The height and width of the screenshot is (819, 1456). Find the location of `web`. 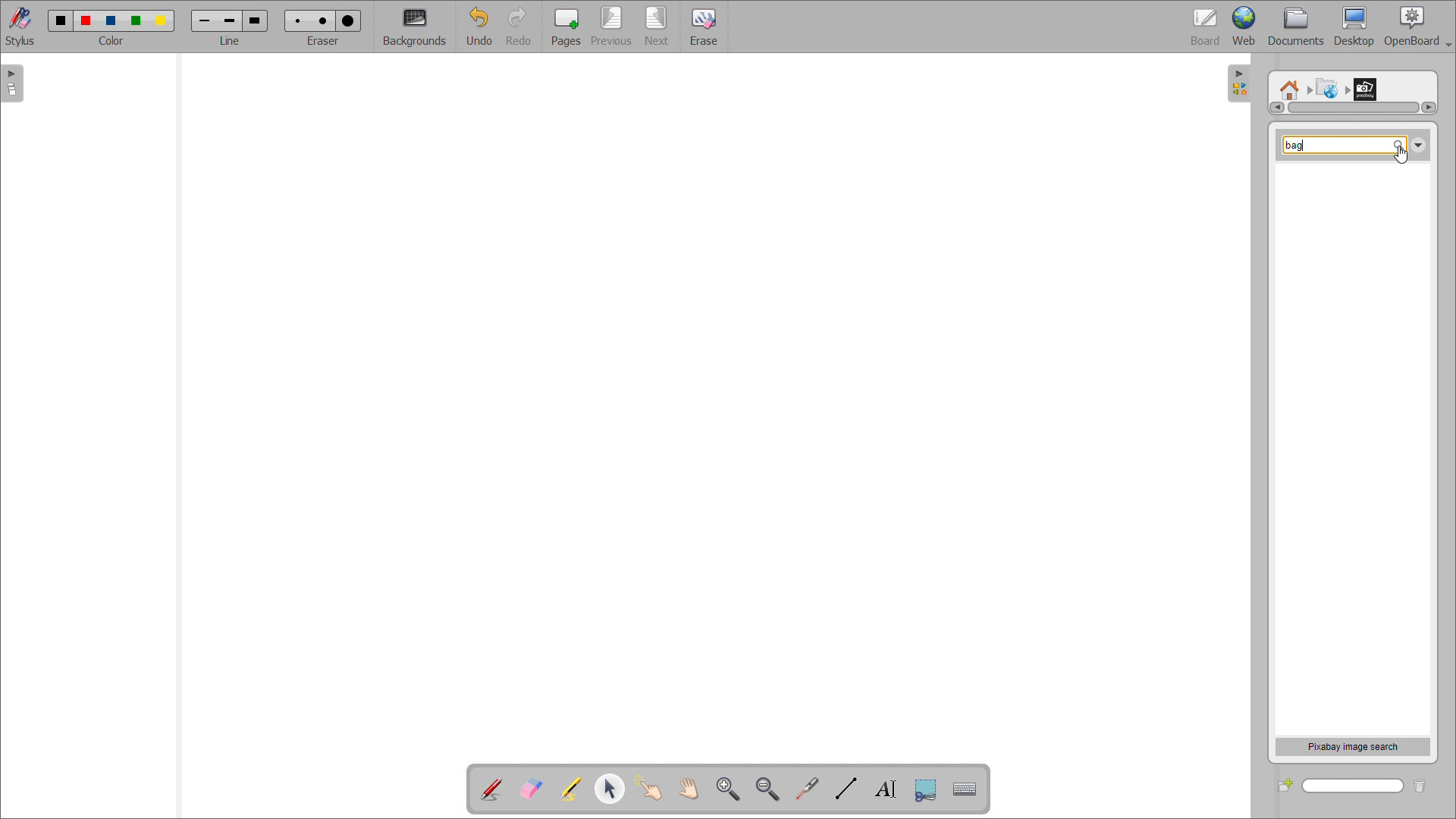

web is located at coordinates (1244, 27).